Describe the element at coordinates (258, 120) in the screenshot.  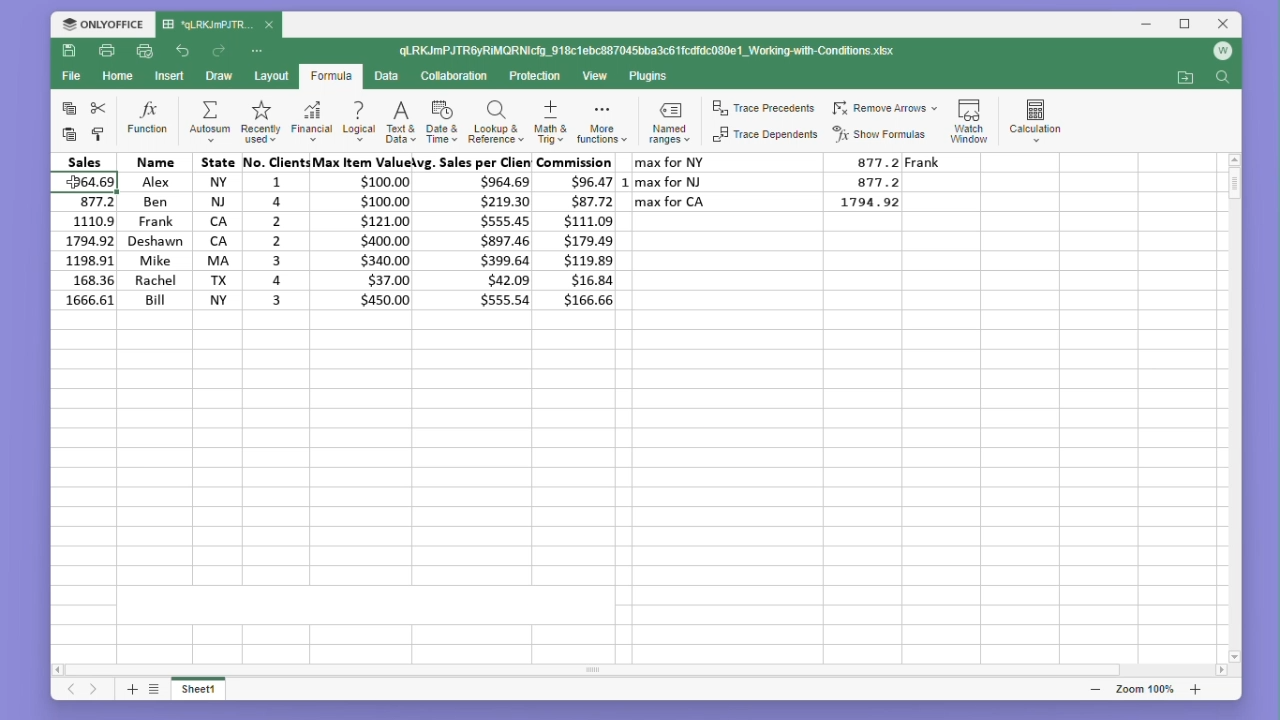
I see `Recently used` at that location.